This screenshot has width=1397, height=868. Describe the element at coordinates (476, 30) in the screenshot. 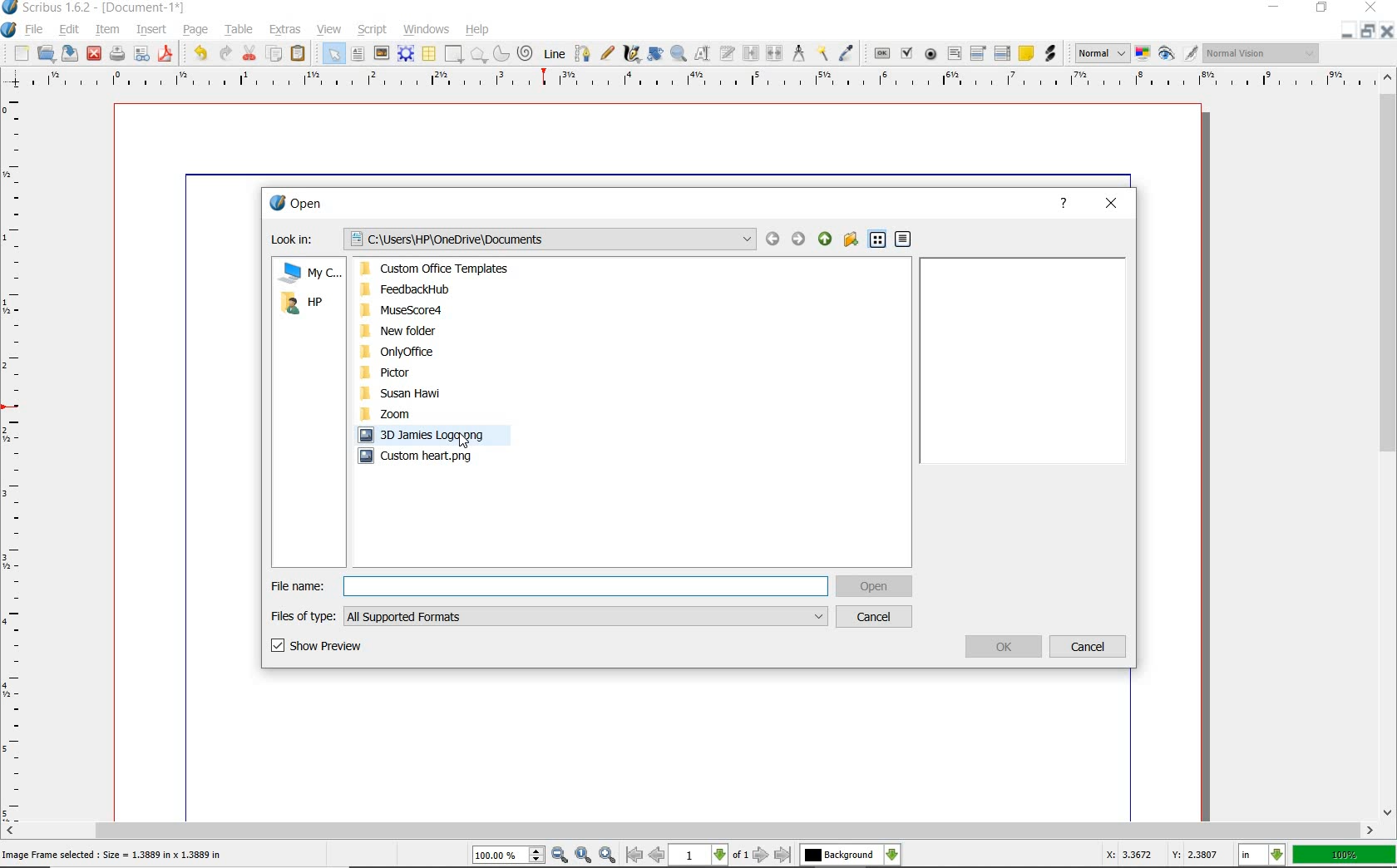

I see `help` at that location.